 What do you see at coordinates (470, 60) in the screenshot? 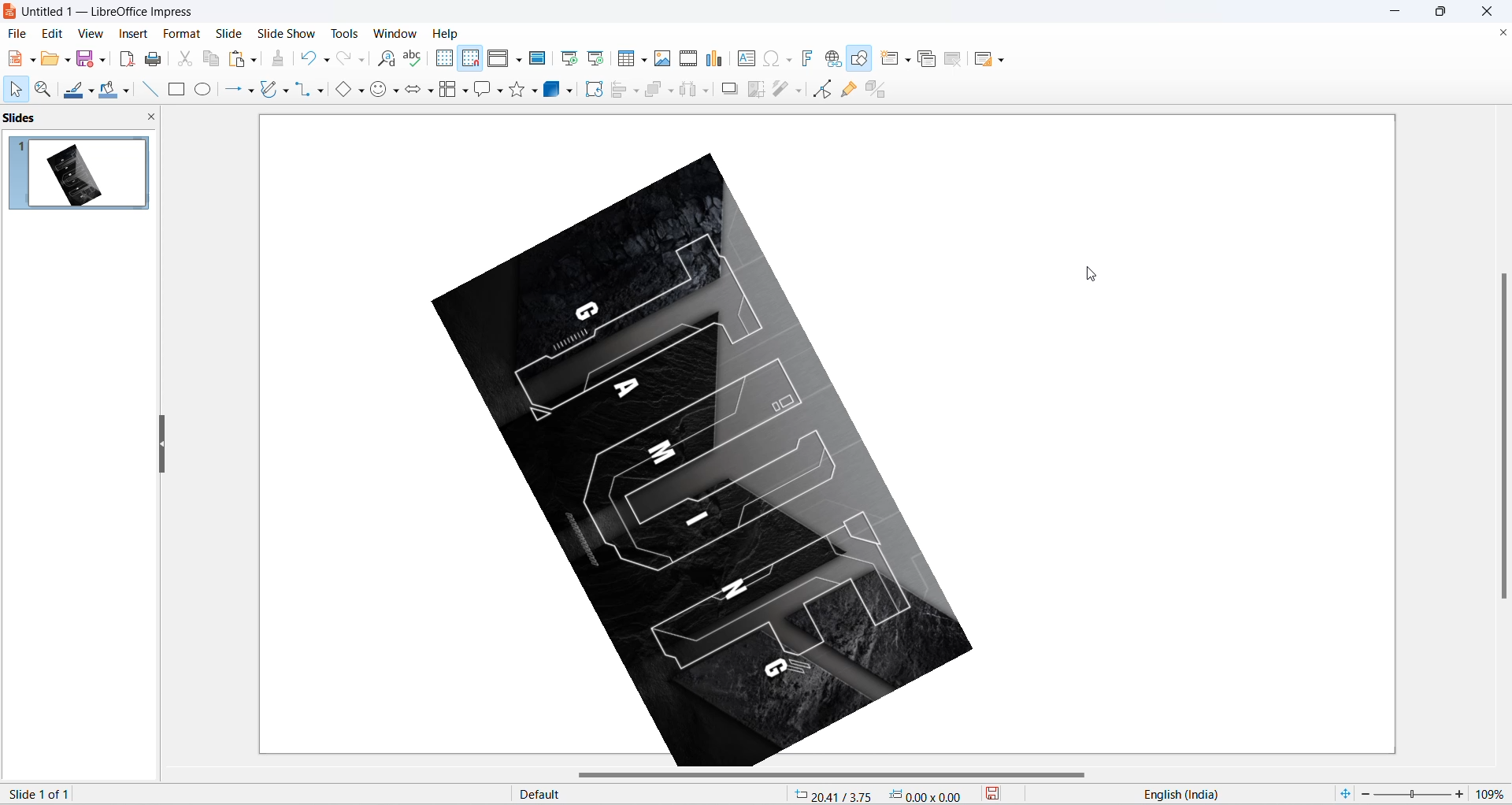
I see `snap to grid` at bounding box center [470, 60].